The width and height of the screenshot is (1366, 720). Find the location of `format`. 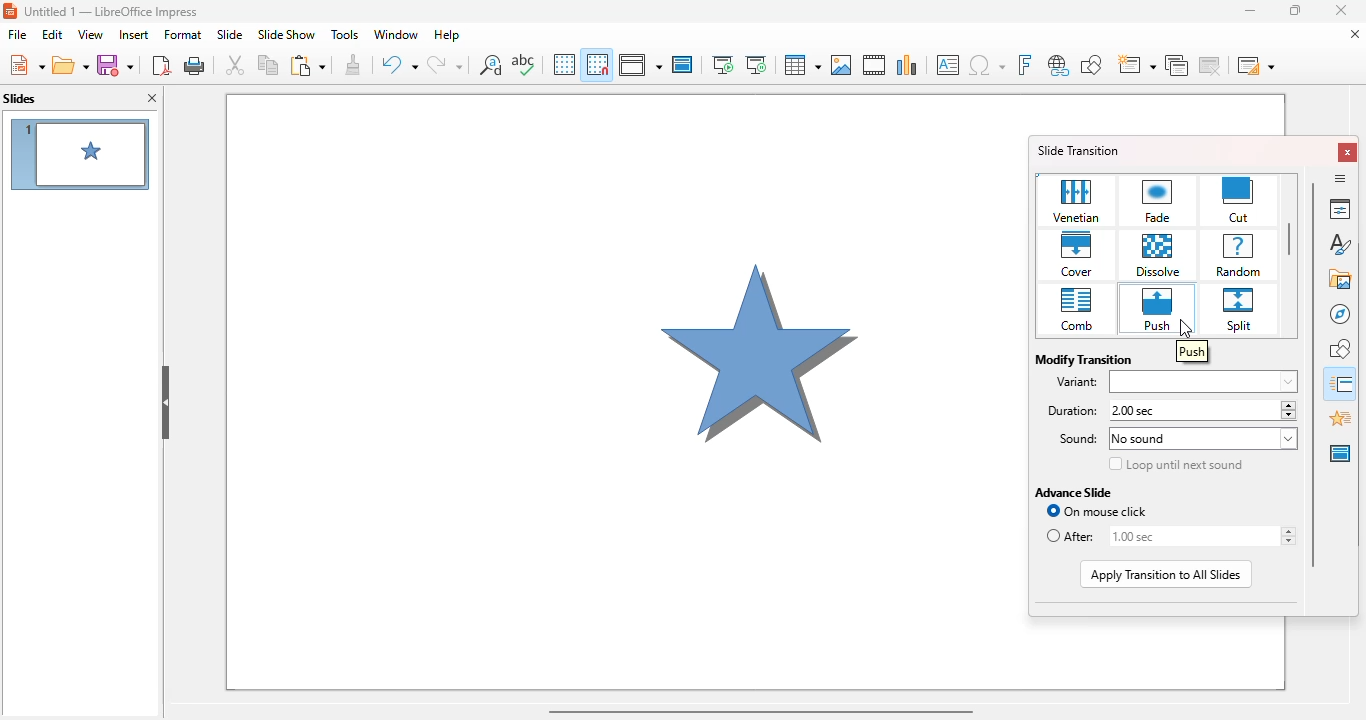

format is located at coordinates (183, 34).